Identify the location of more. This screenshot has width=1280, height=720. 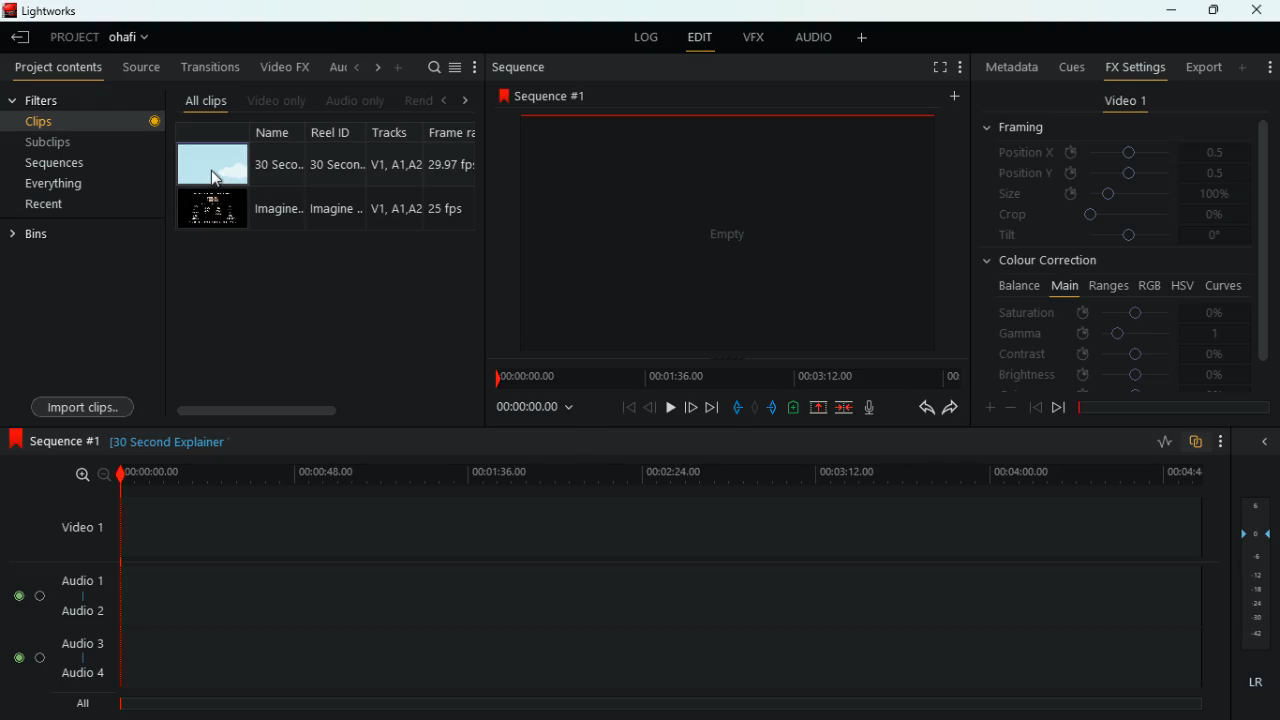
(866, 39).